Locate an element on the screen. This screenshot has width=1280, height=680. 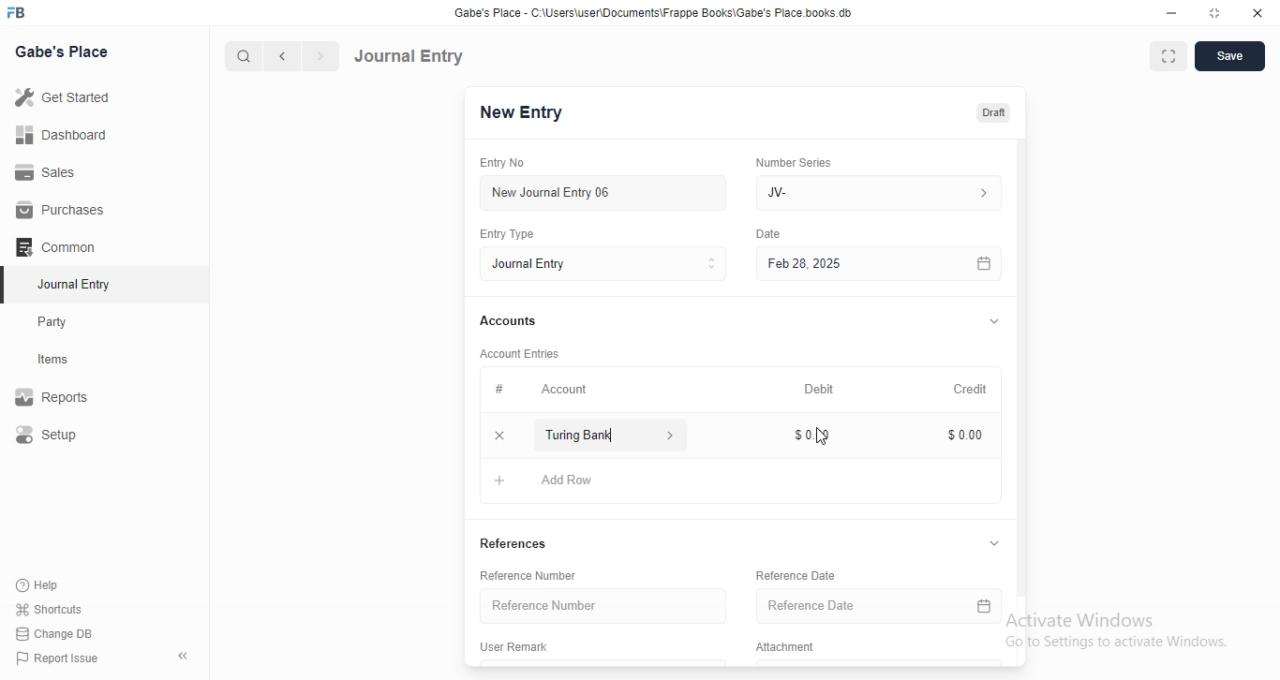
‘Number Series is located at coordinates (805, 160).